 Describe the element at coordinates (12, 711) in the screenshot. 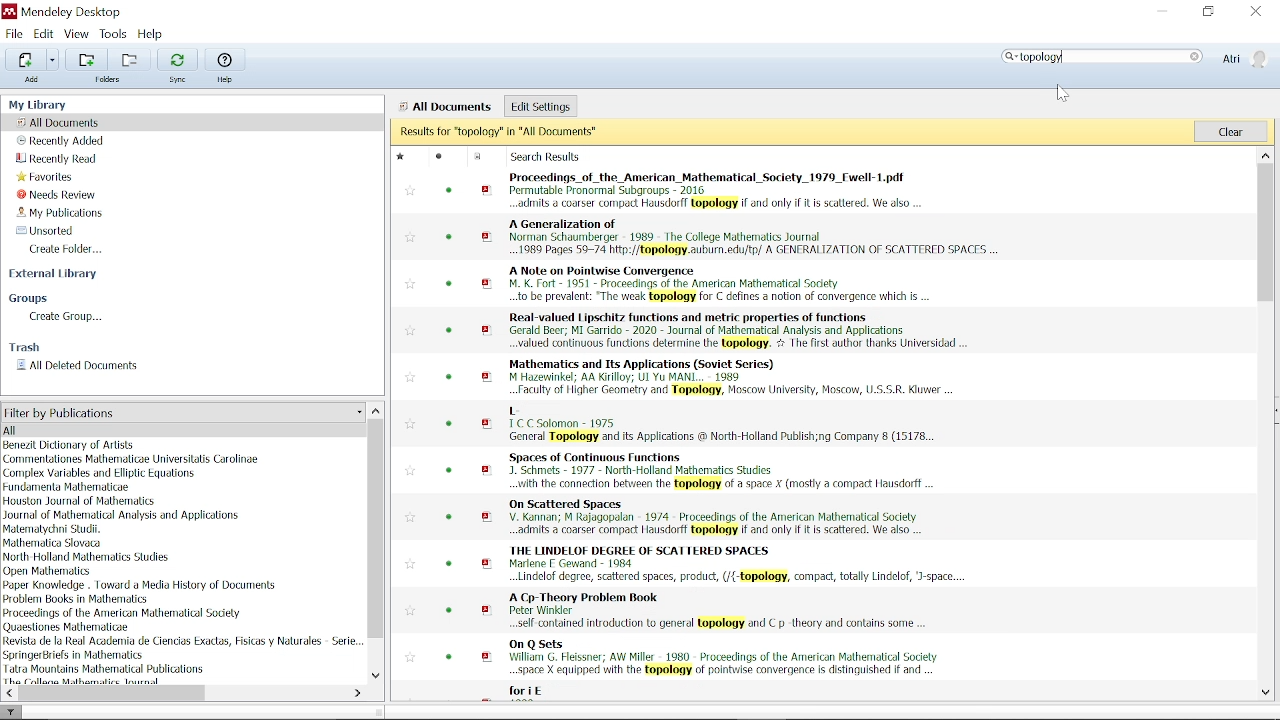

I see `Filter` at that location.